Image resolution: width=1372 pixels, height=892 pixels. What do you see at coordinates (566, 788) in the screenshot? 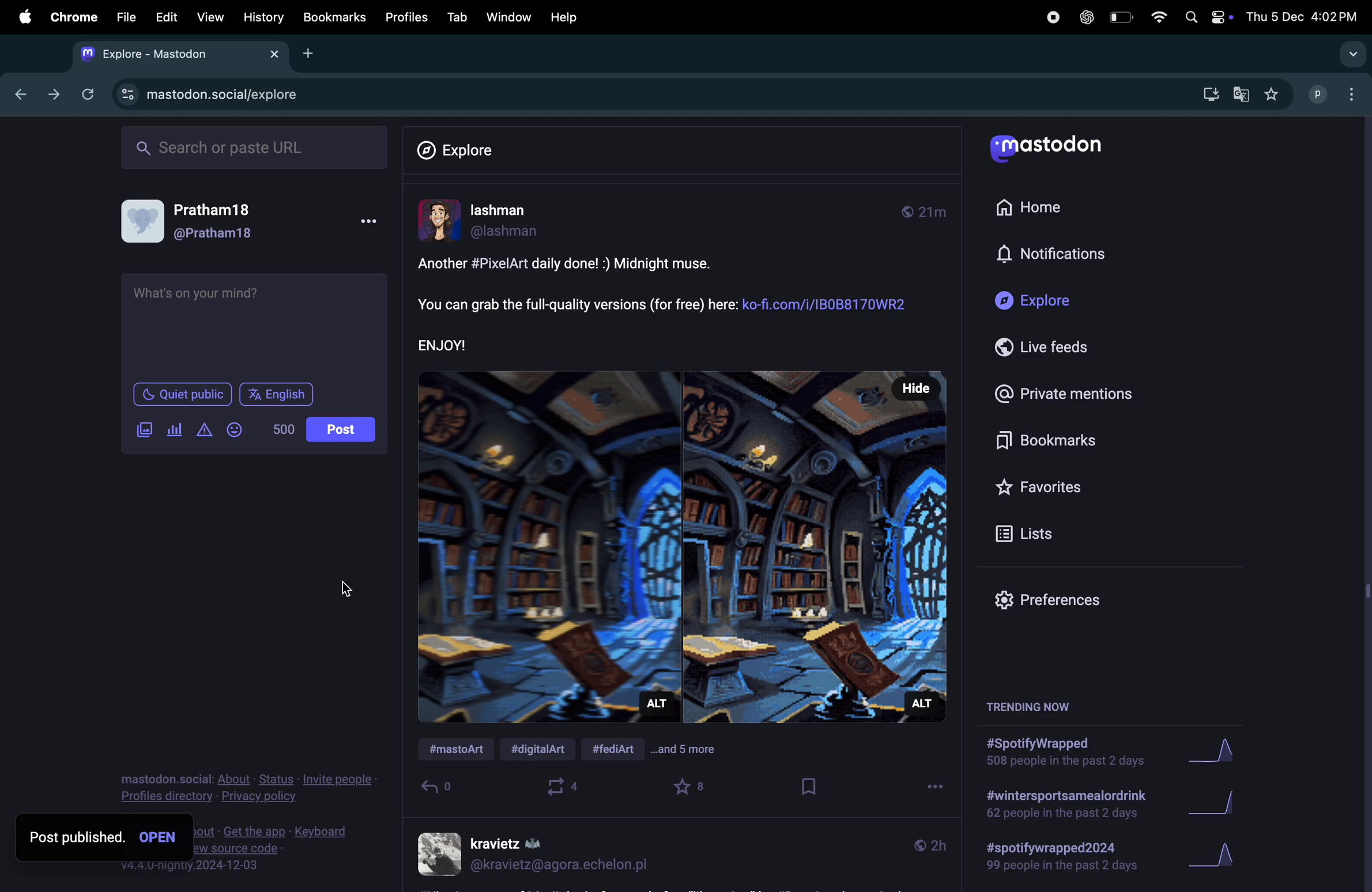
I see `boost` at bounding box center [566, 788].